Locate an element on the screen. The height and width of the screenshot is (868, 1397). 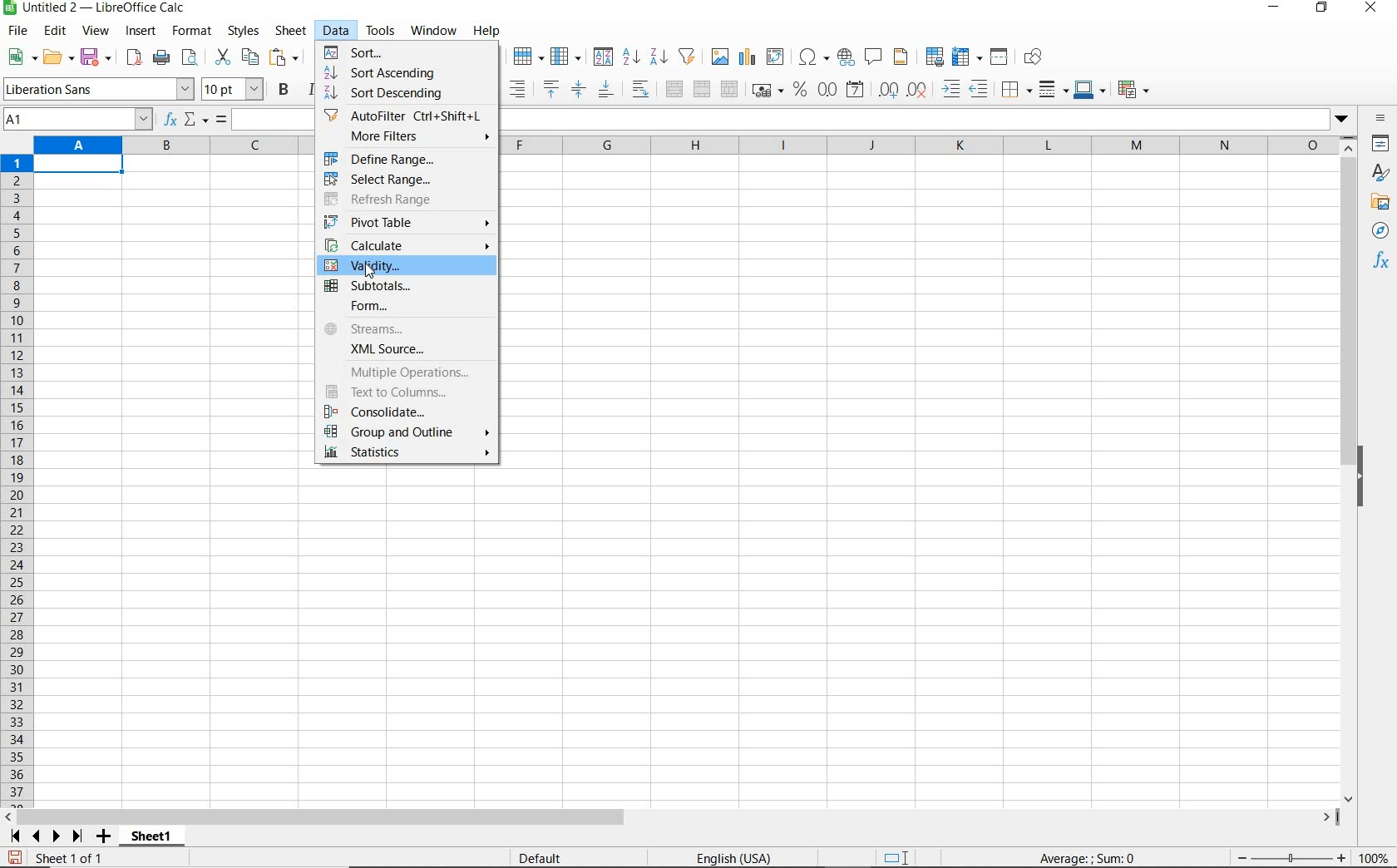
zoom out or zoom in is located at coordinates (1285, 857).